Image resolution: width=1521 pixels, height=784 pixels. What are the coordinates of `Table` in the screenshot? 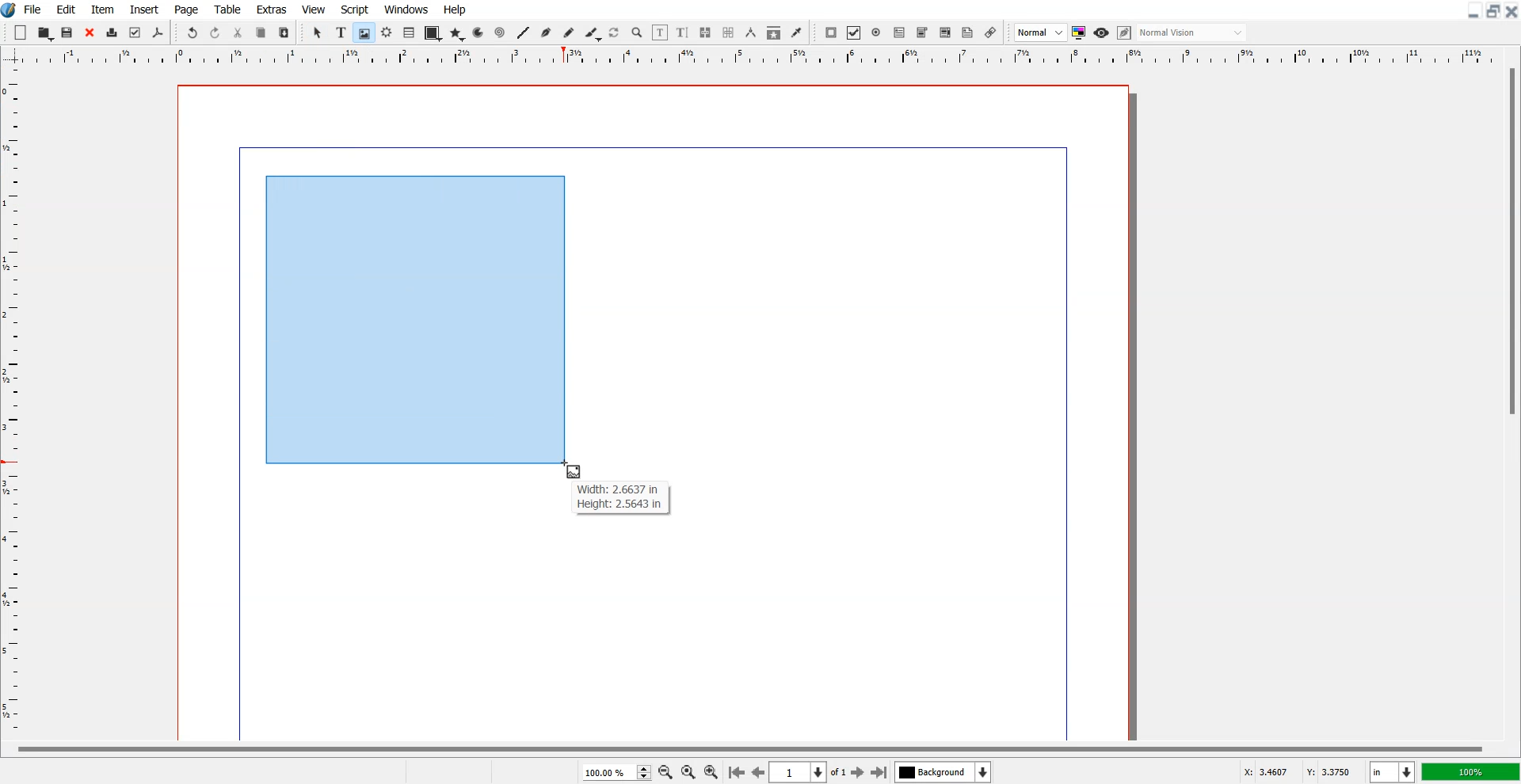 It's located at (227, 9).